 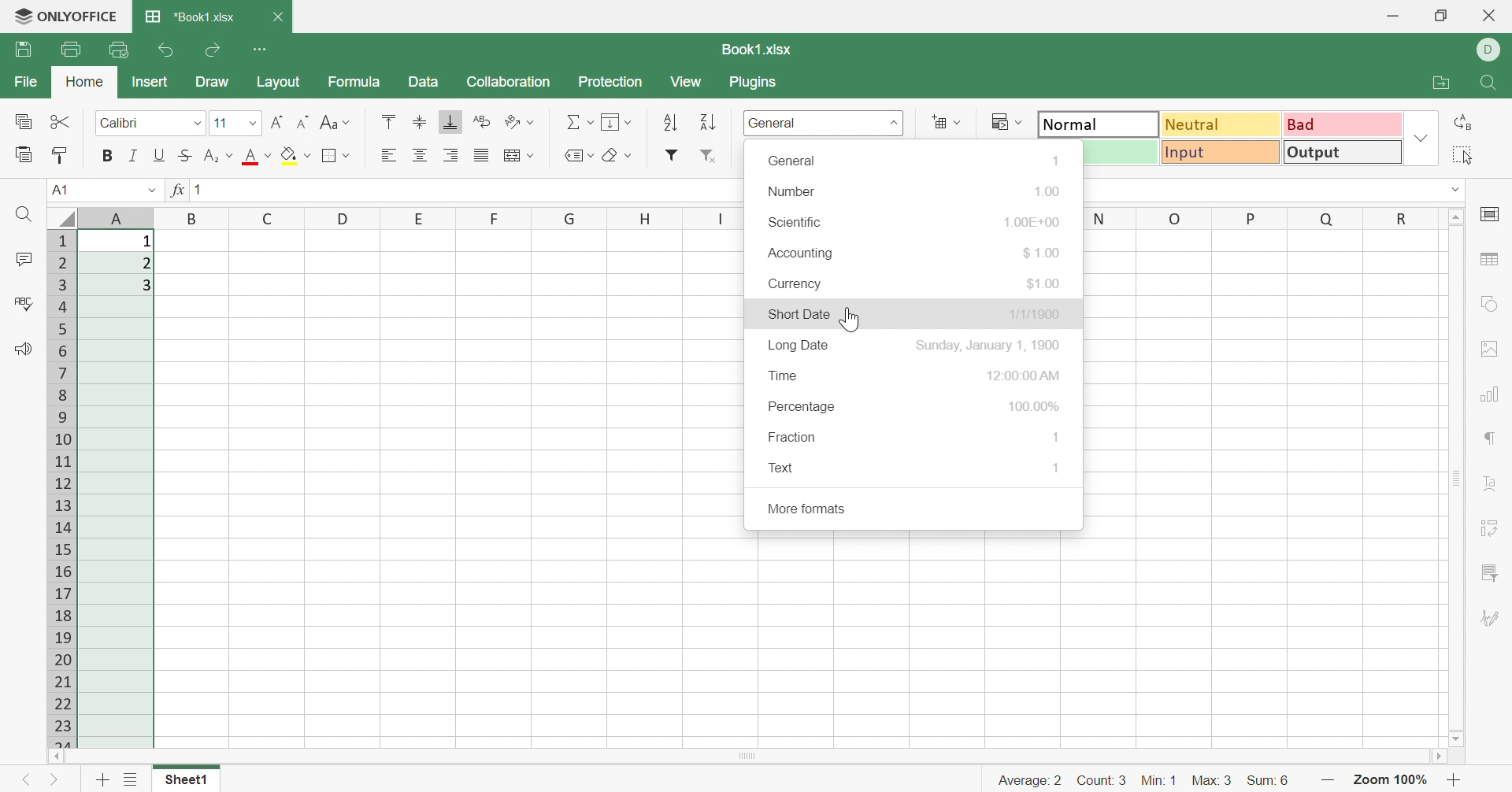 I want to click on Align middle, so click(x=421, y=155).